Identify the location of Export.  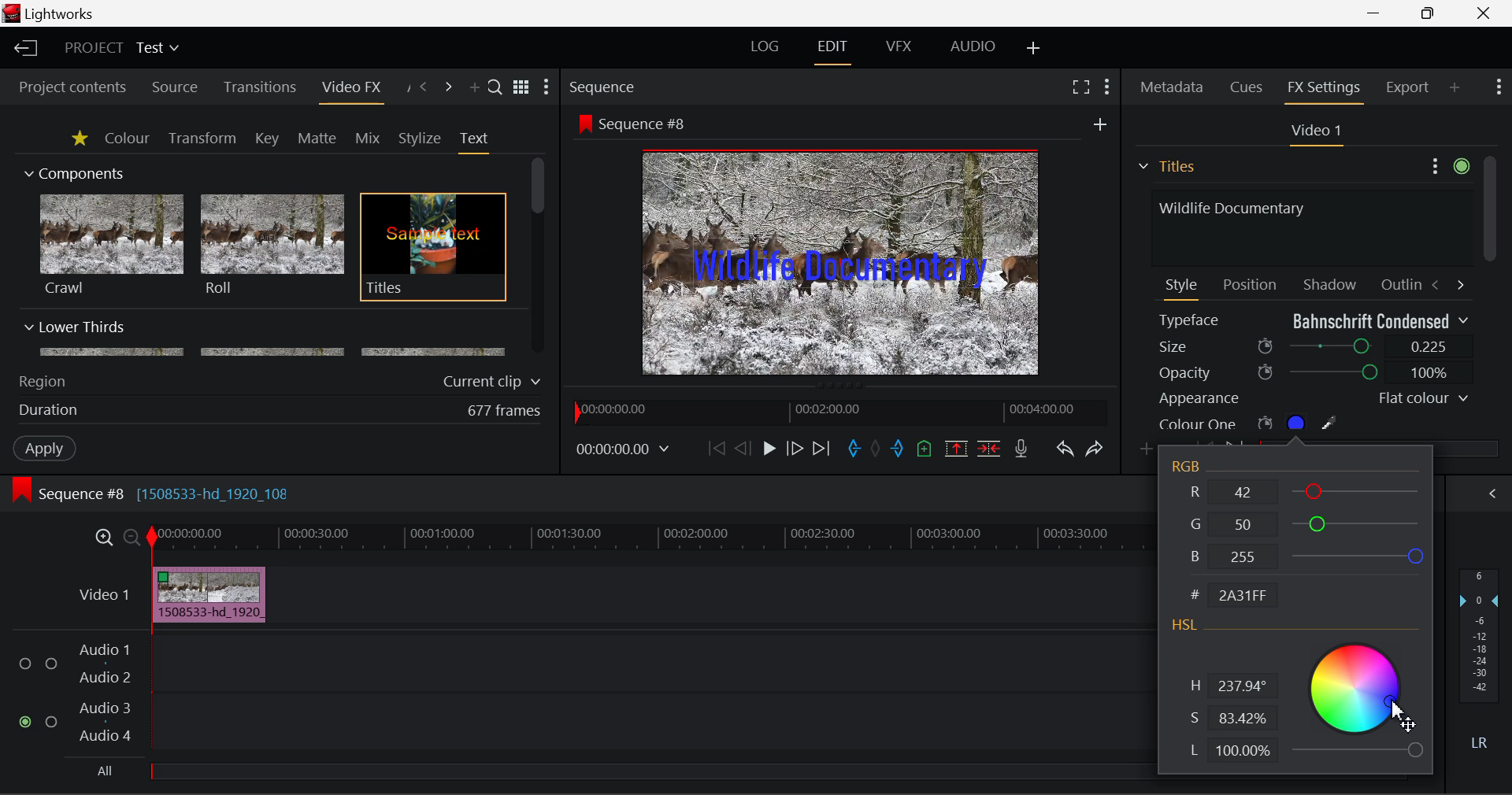
(1408, 87).